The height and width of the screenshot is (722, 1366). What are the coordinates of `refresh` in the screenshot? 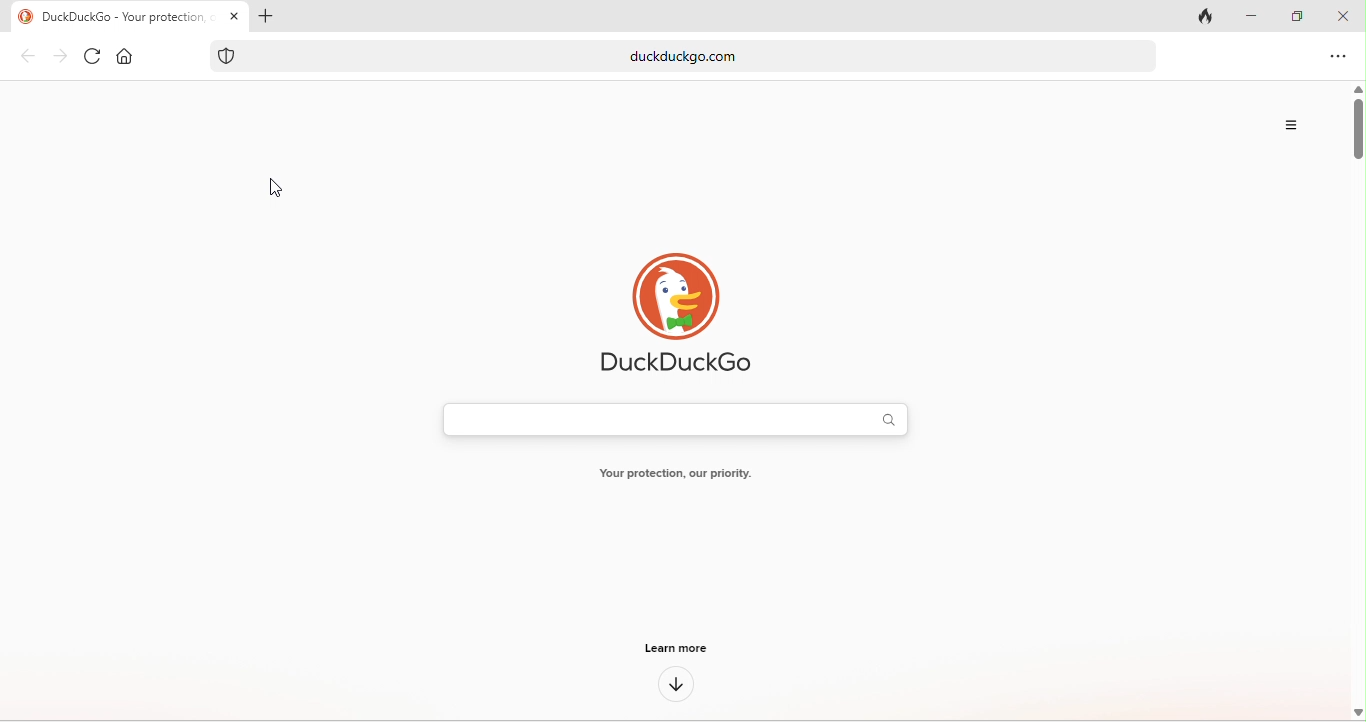 It's located at (89, 59).